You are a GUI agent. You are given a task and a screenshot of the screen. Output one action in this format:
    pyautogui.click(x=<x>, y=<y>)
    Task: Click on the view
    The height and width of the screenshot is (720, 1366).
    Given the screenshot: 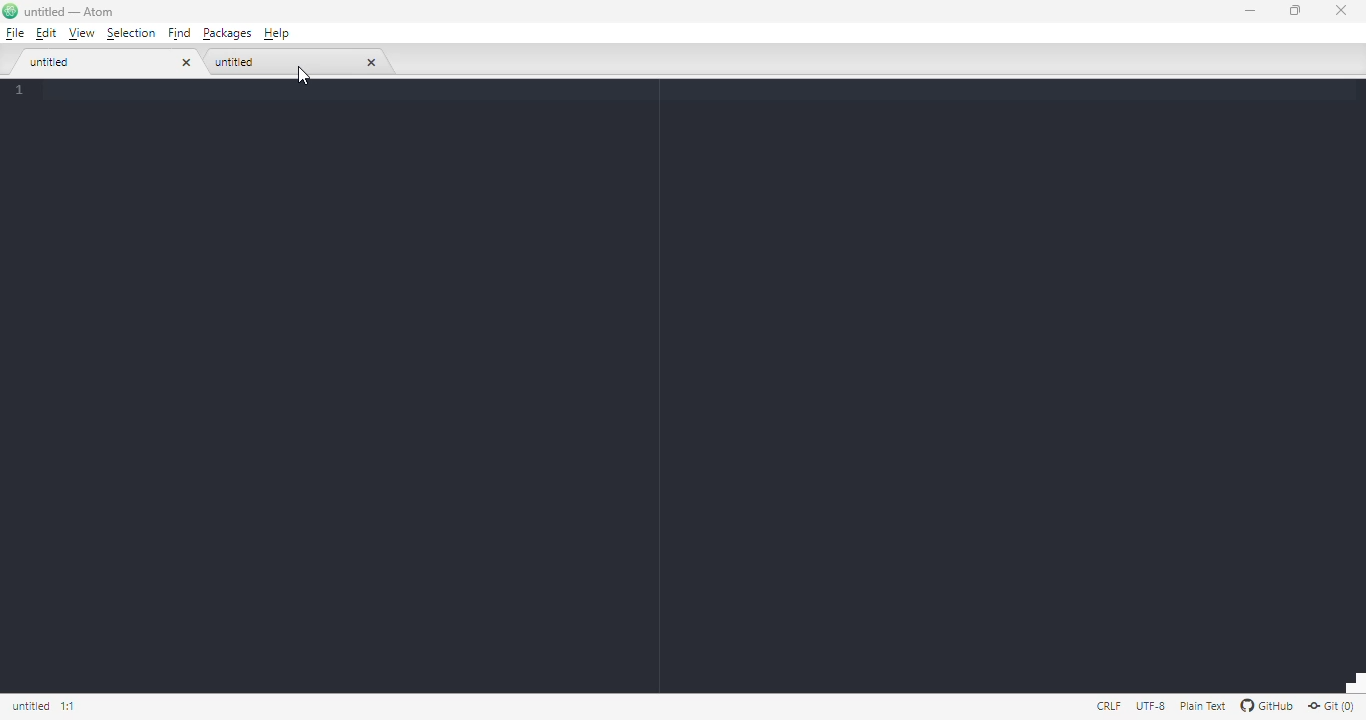 What is the action you would take?
    pyautogui.click(x=81, y=33)
    